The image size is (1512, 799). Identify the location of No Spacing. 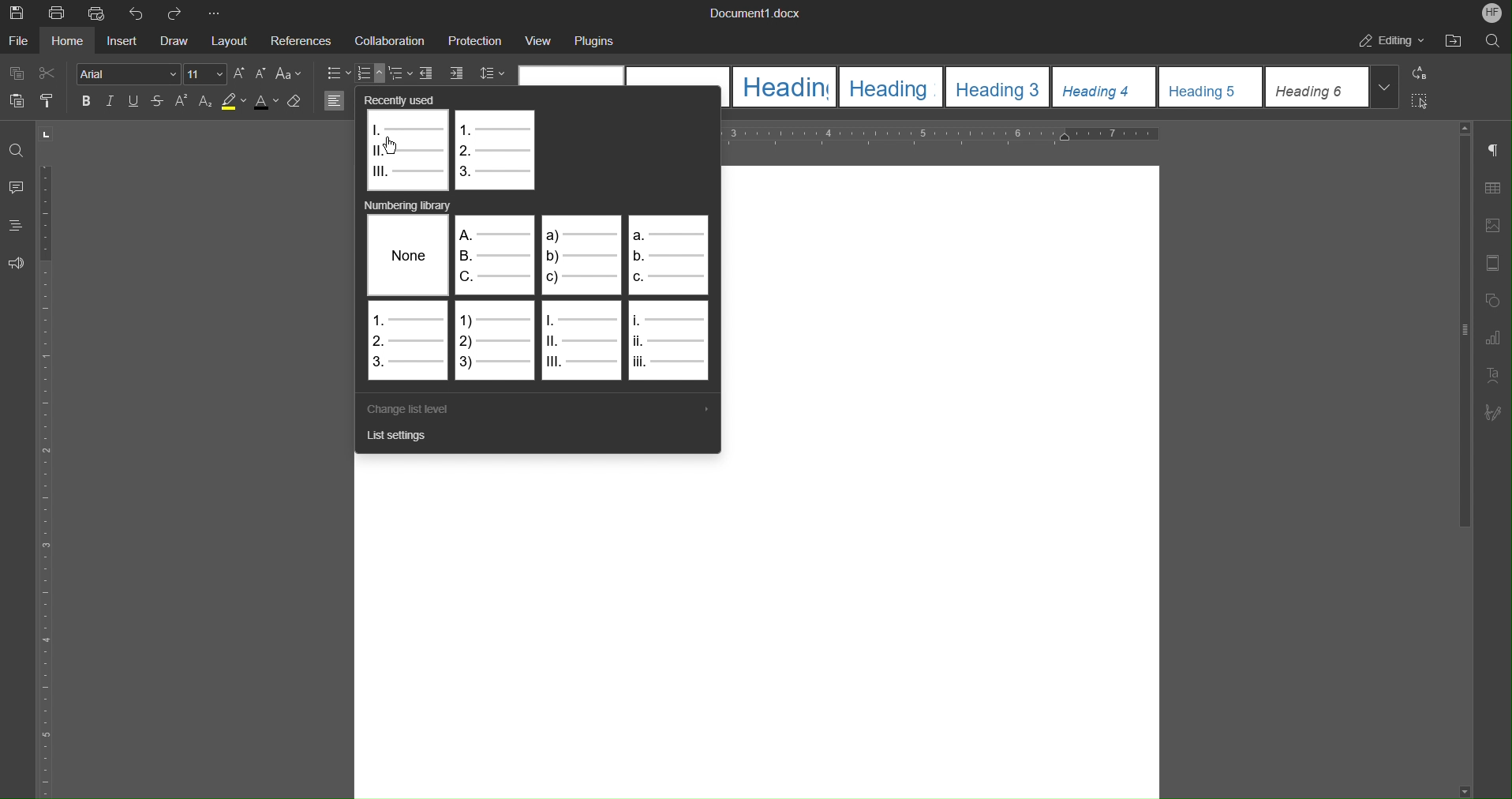
(678, 76).